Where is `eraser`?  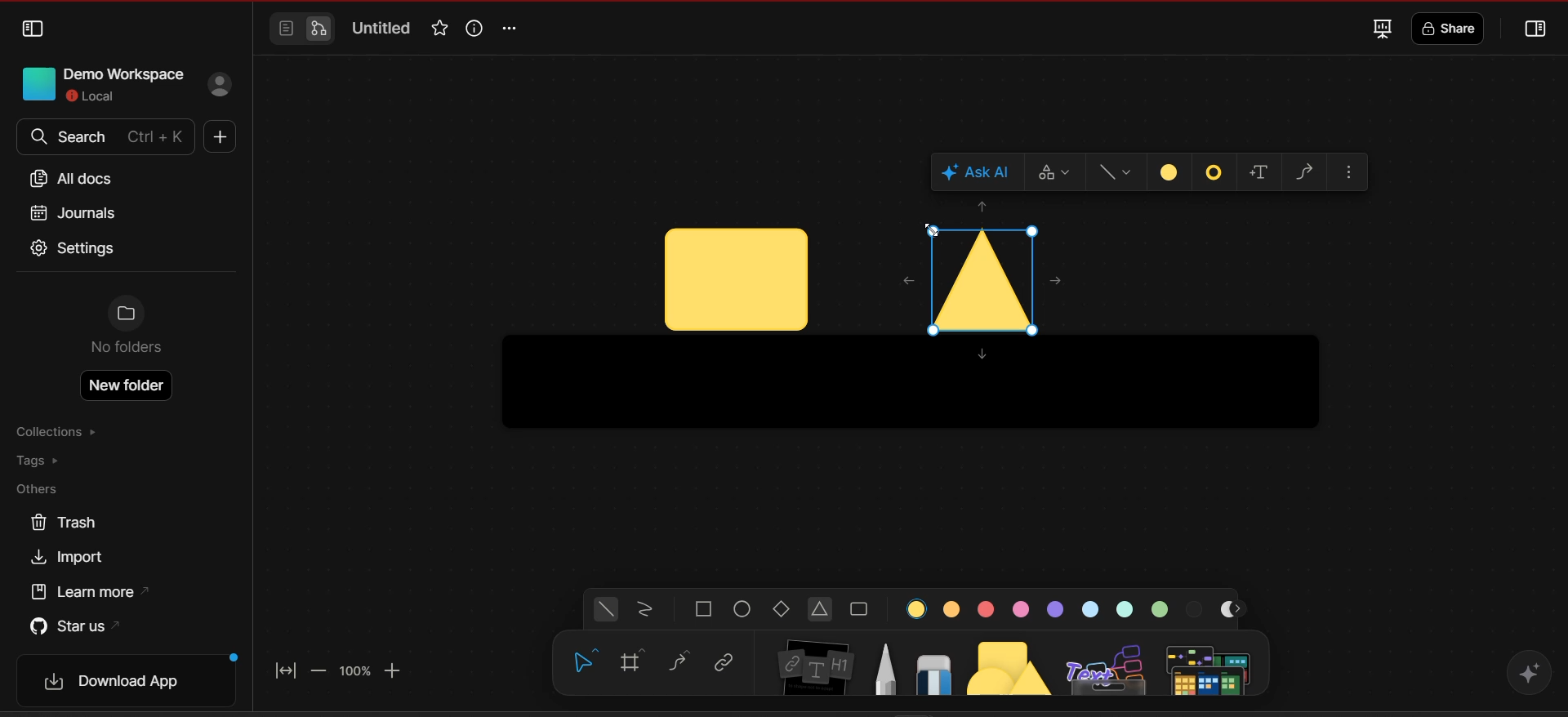 eraser is located at coordinates (934, 670).